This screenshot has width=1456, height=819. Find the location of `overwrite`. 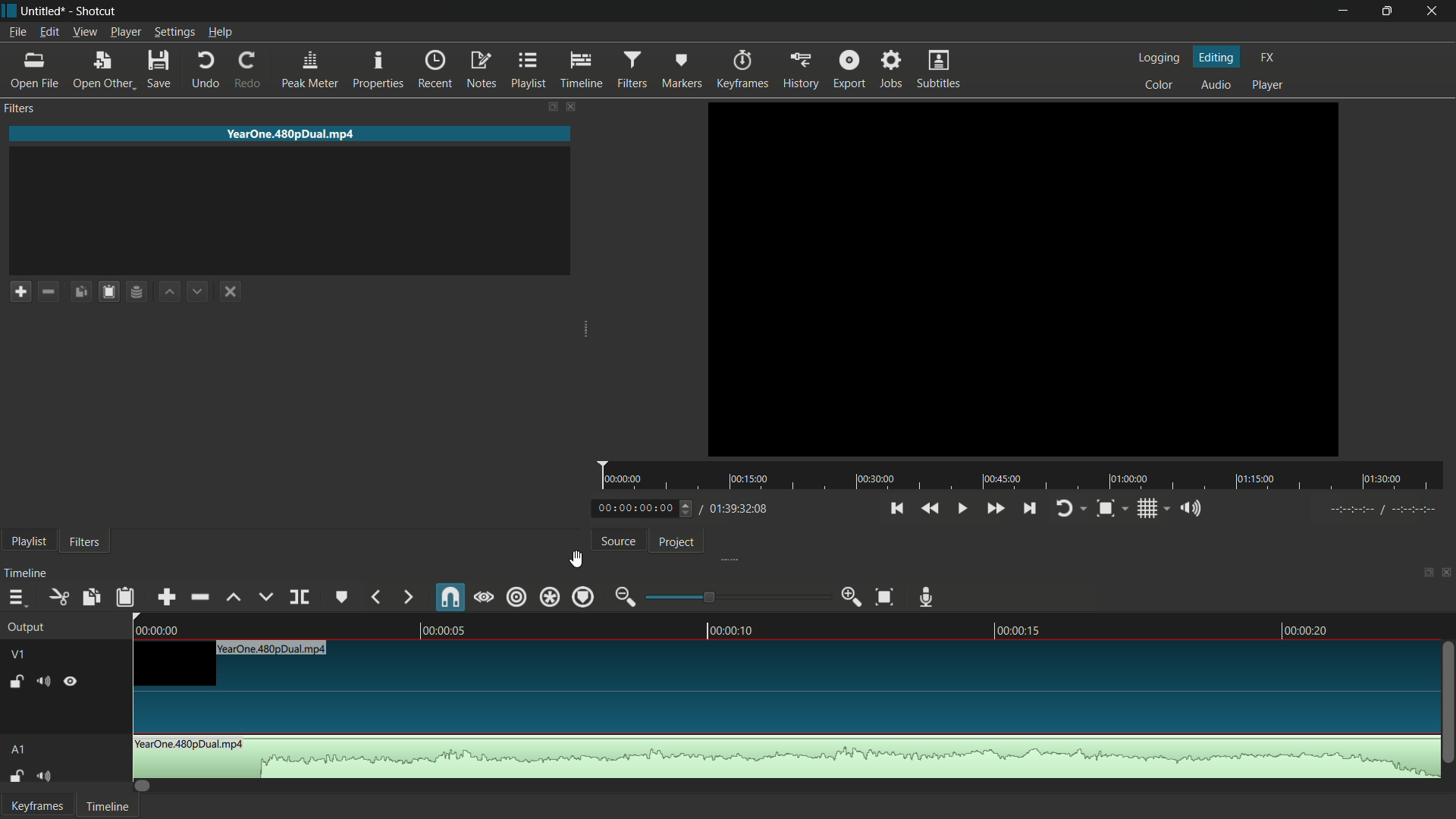

overwrite is located at coordinates (266, 598).